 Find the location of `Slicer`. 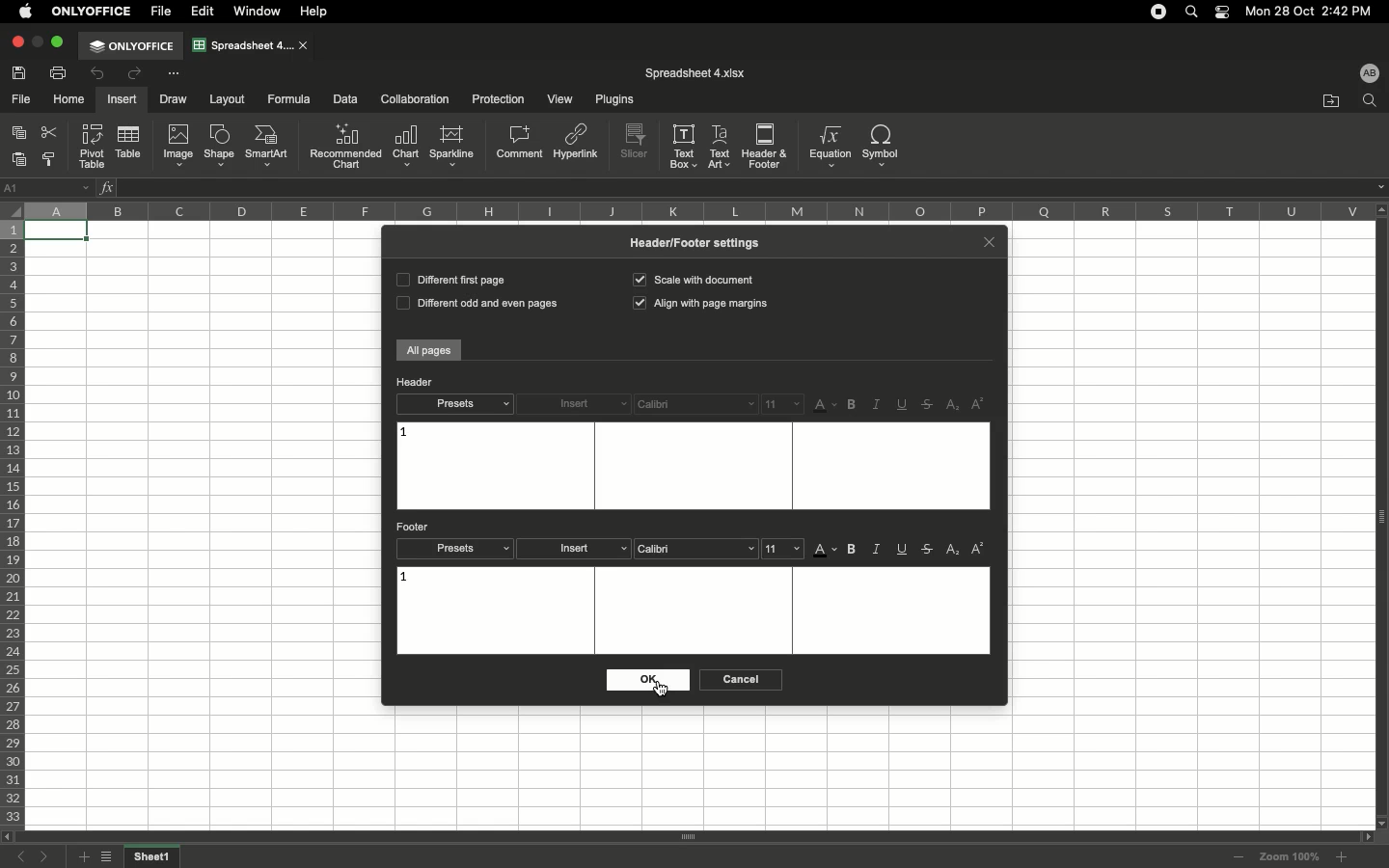

Slicer is located at coordinates (637, 142).